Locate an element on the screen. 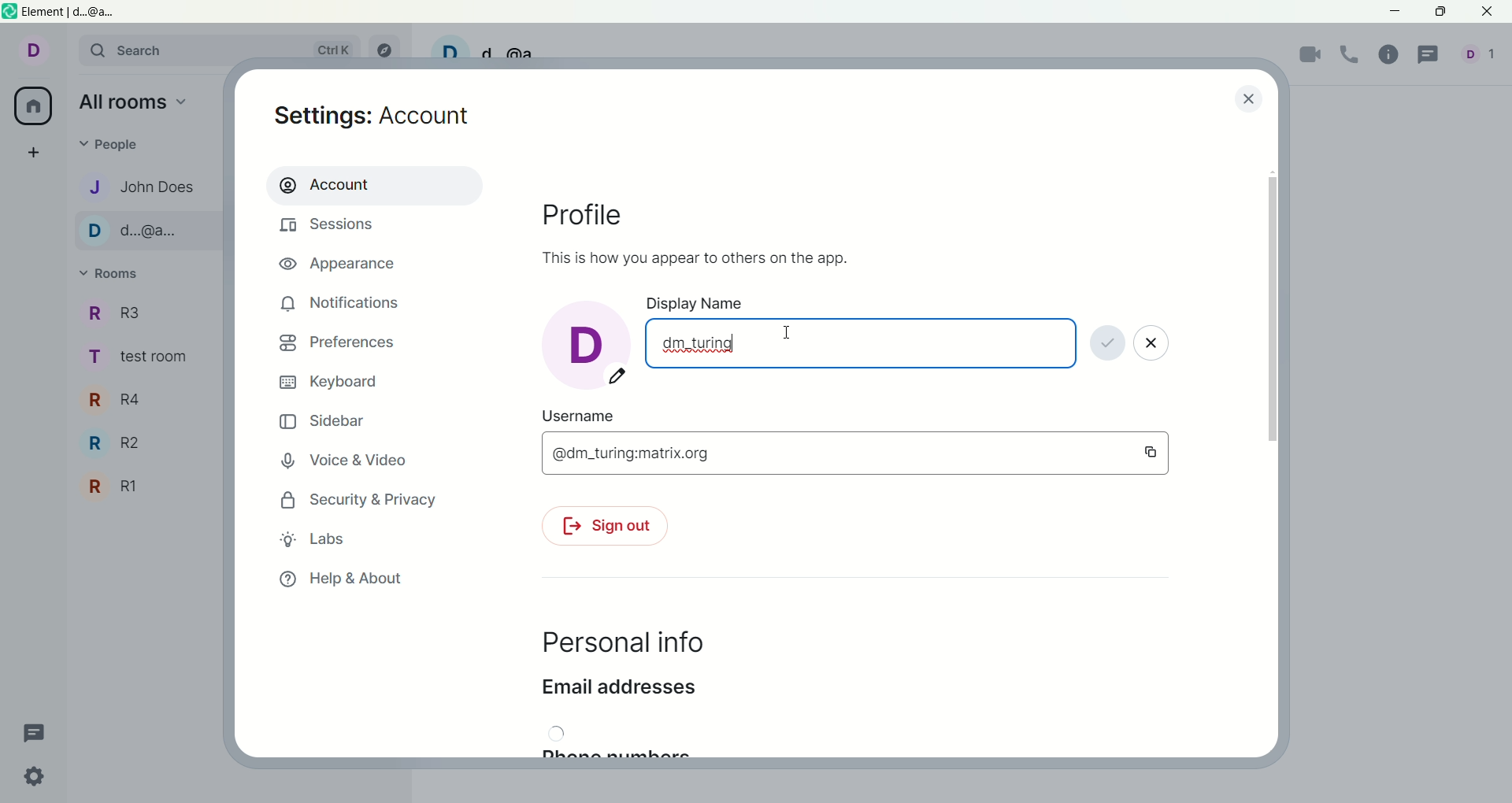 This screenshot has height=803, width=1512. R4 is located at coordinates (121, 400).